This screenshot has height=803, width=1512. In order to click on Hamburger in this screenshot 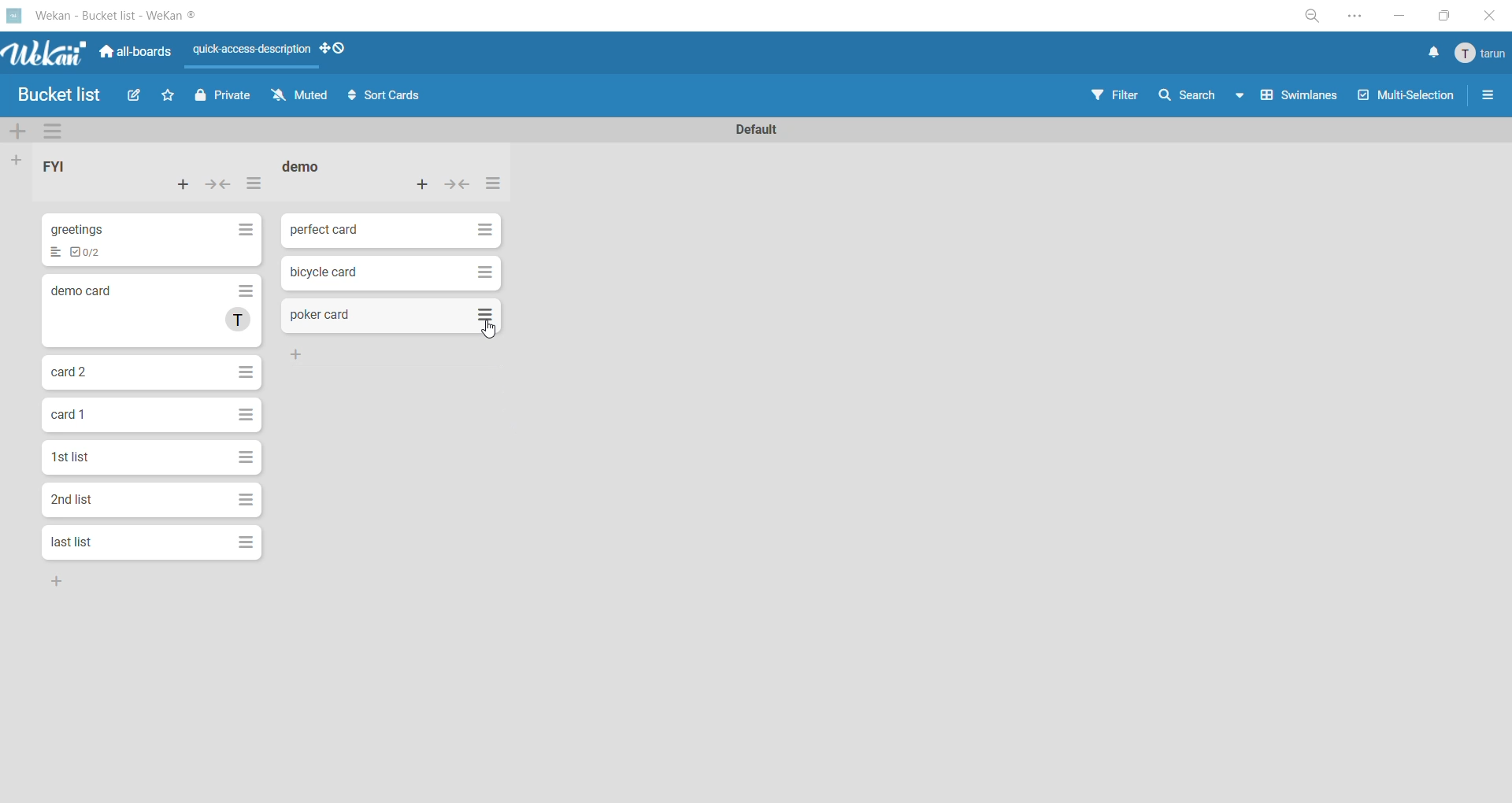, I will do `click(479, 230)`.